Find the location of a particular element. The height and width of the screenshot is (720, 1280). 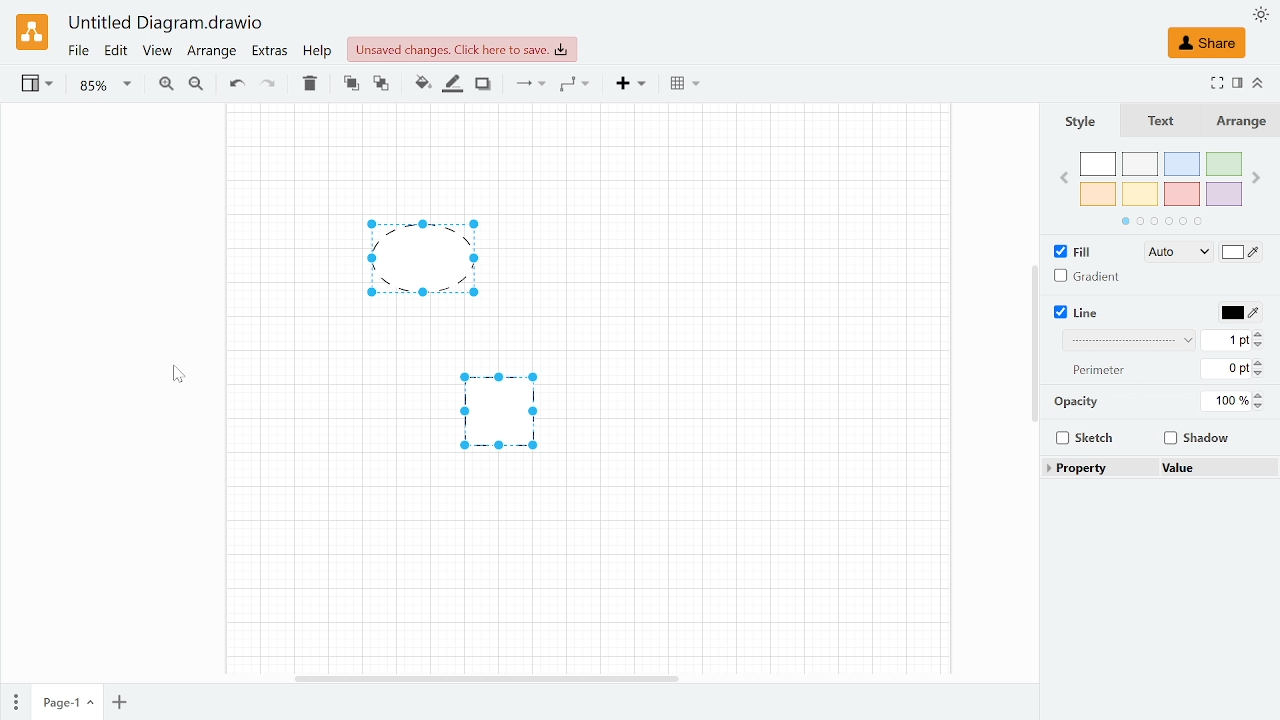

Property is located at coordinates (1078, 470).